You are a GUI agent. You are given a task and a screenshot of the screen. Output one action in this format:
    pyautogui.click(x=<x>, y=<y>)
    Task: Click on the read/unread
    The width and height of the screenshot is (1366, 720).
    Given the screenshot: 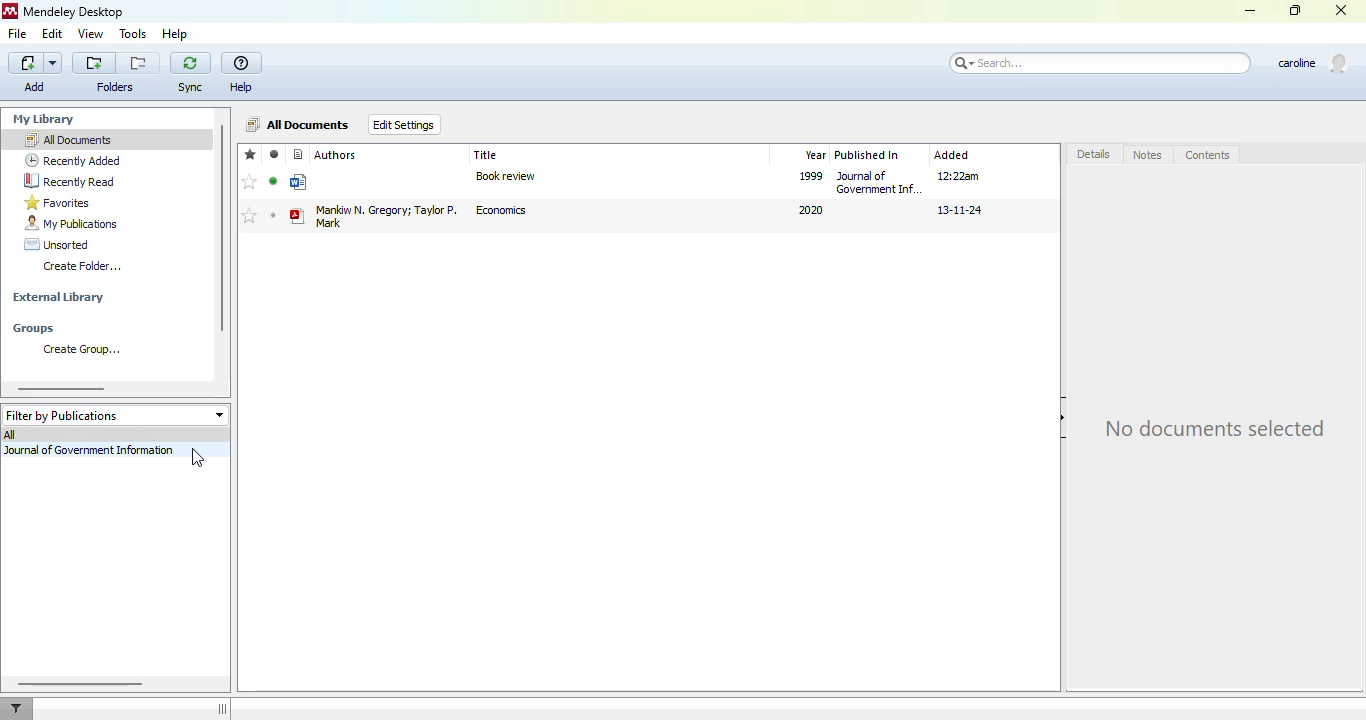 What is the action you would take?
    pyautogui.click(x=275, y=155)
    